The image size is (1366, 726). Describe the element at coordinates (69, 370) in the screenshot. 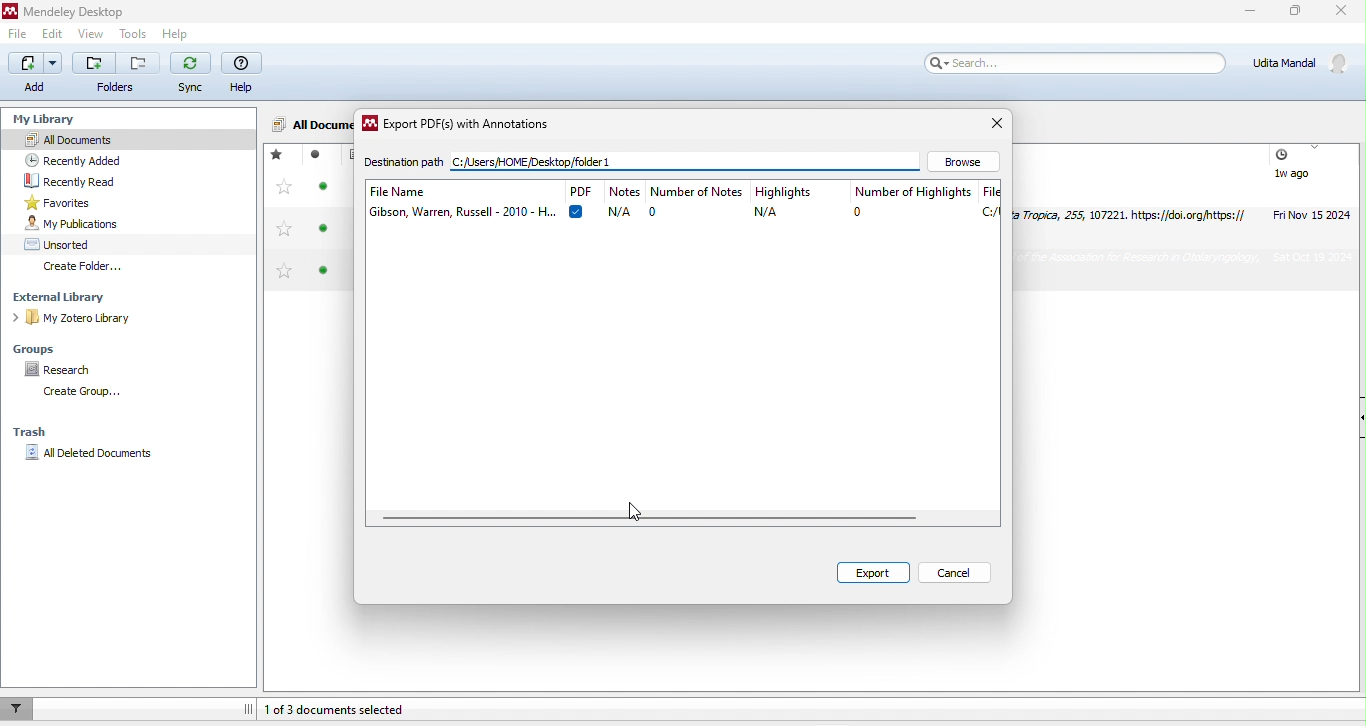

I see `research` at that location.